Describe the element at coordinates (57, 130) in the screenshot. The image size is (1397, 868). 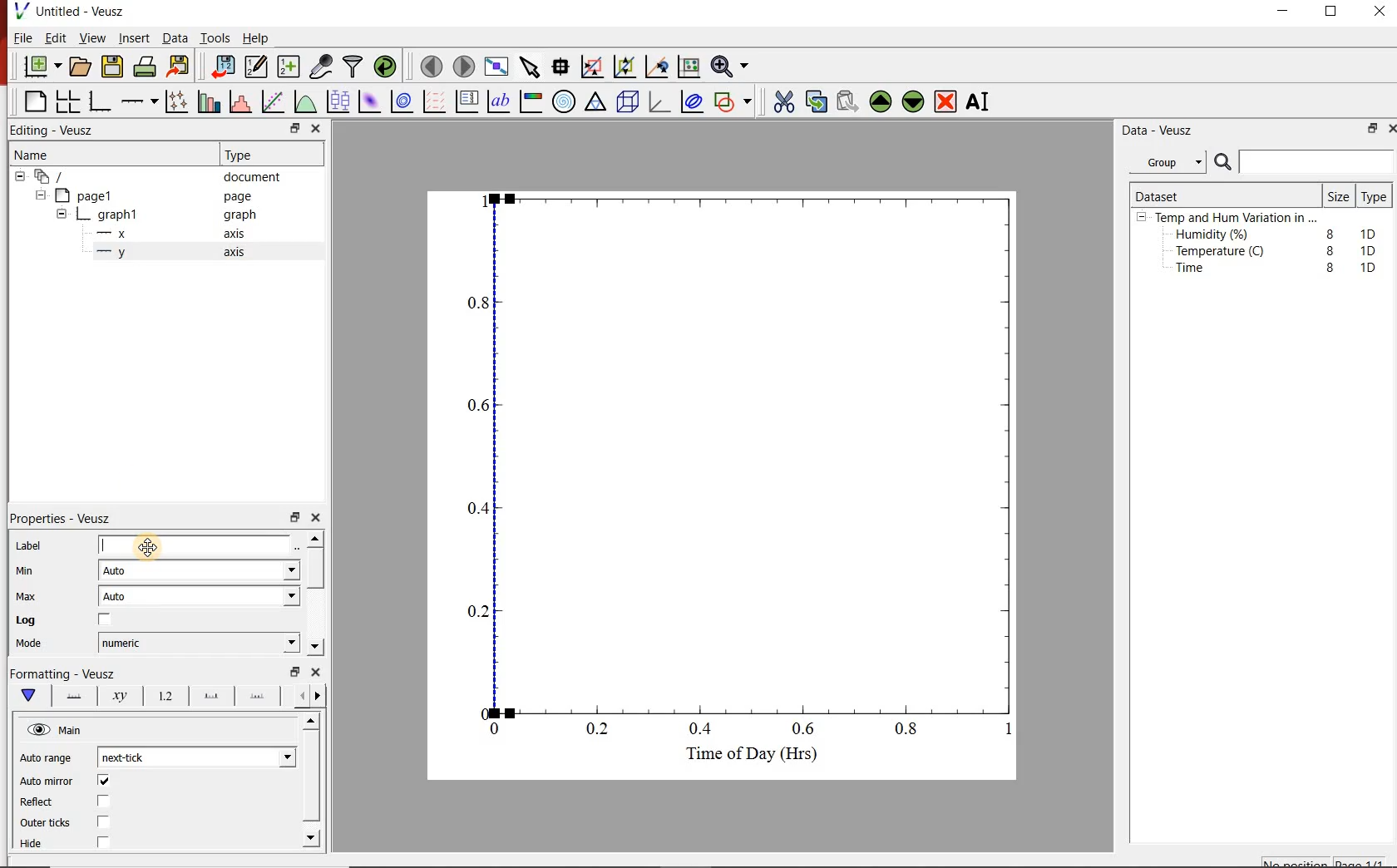
I see `Editing - Veusz` at that location.